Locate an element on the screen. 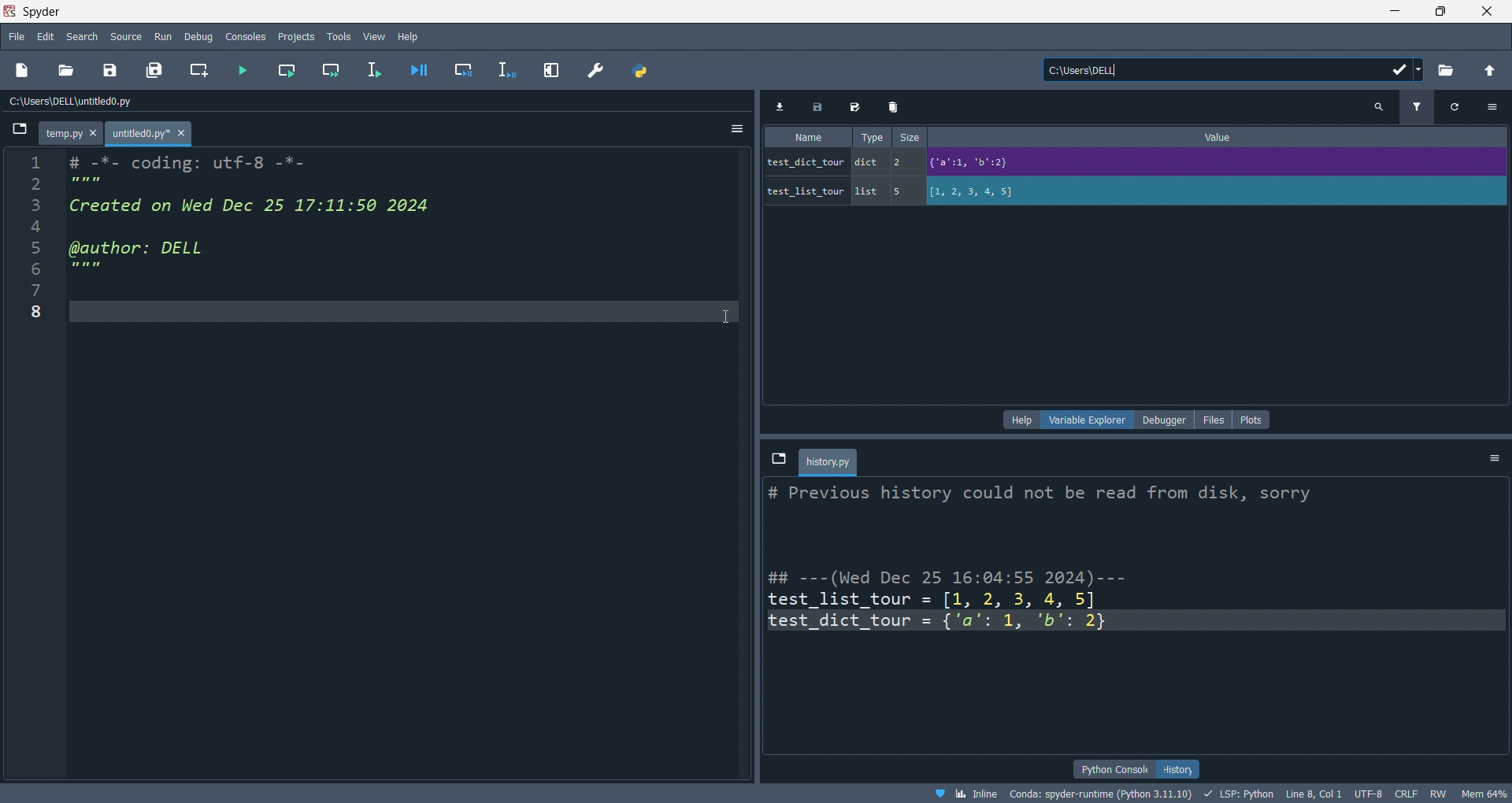 This screenshot has width=1512, height=803. history is located at coordinates (1180, 769).